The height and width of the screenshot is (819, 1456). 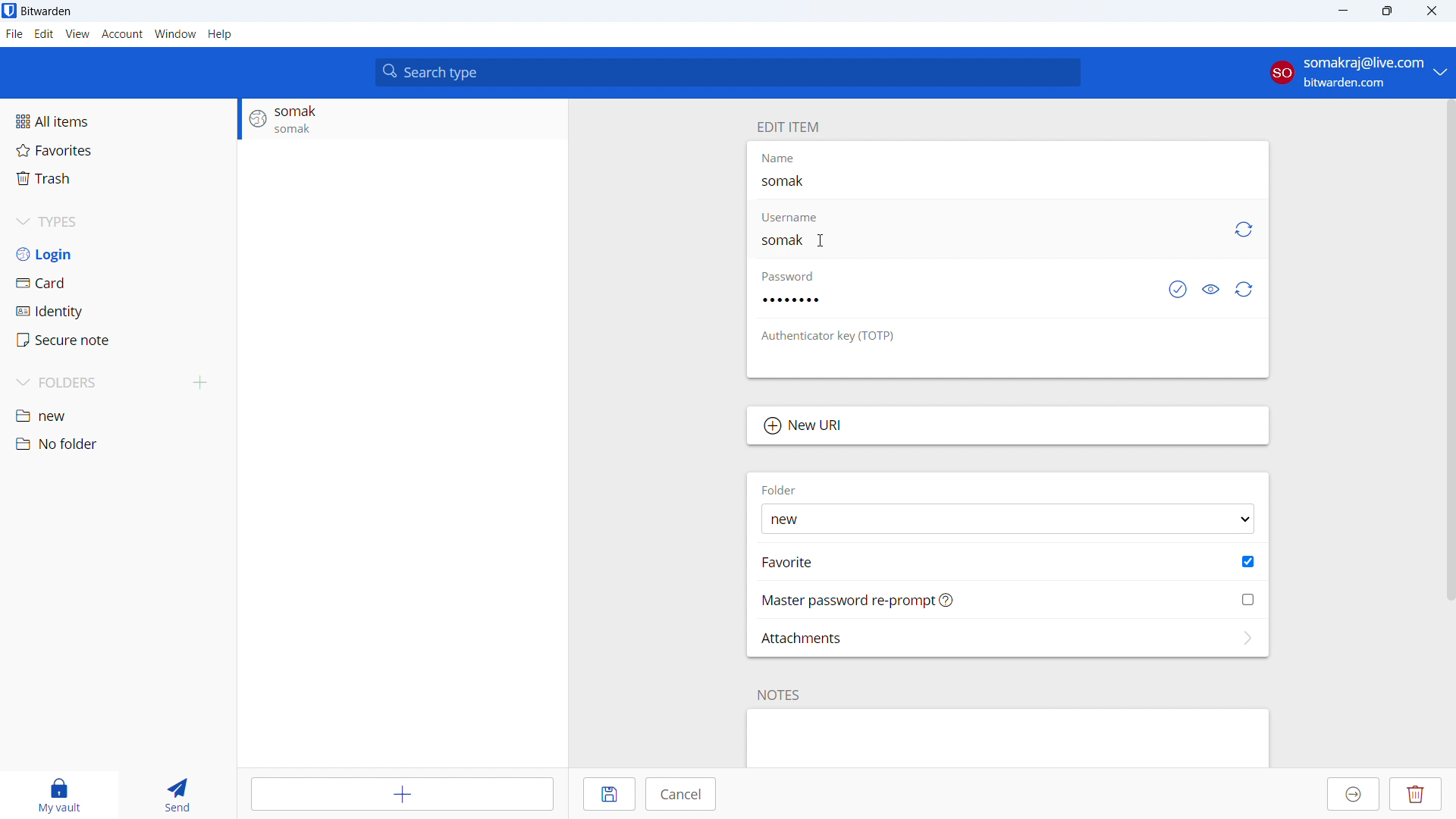 What do you see at coordinates (797, 277) in the screenshot?
I see `password` at bounding box center [797, 277].